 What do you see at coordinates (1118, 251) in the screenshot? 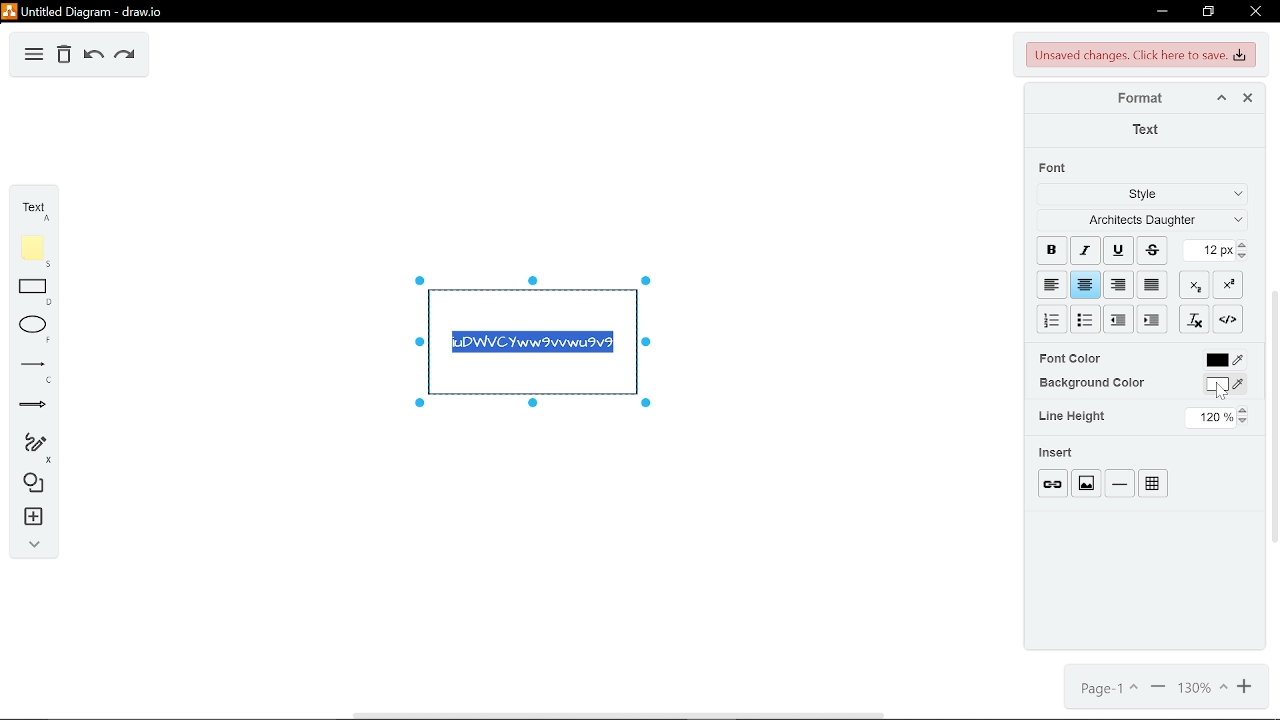
I see `underline` at bounding box center [1118, 251].